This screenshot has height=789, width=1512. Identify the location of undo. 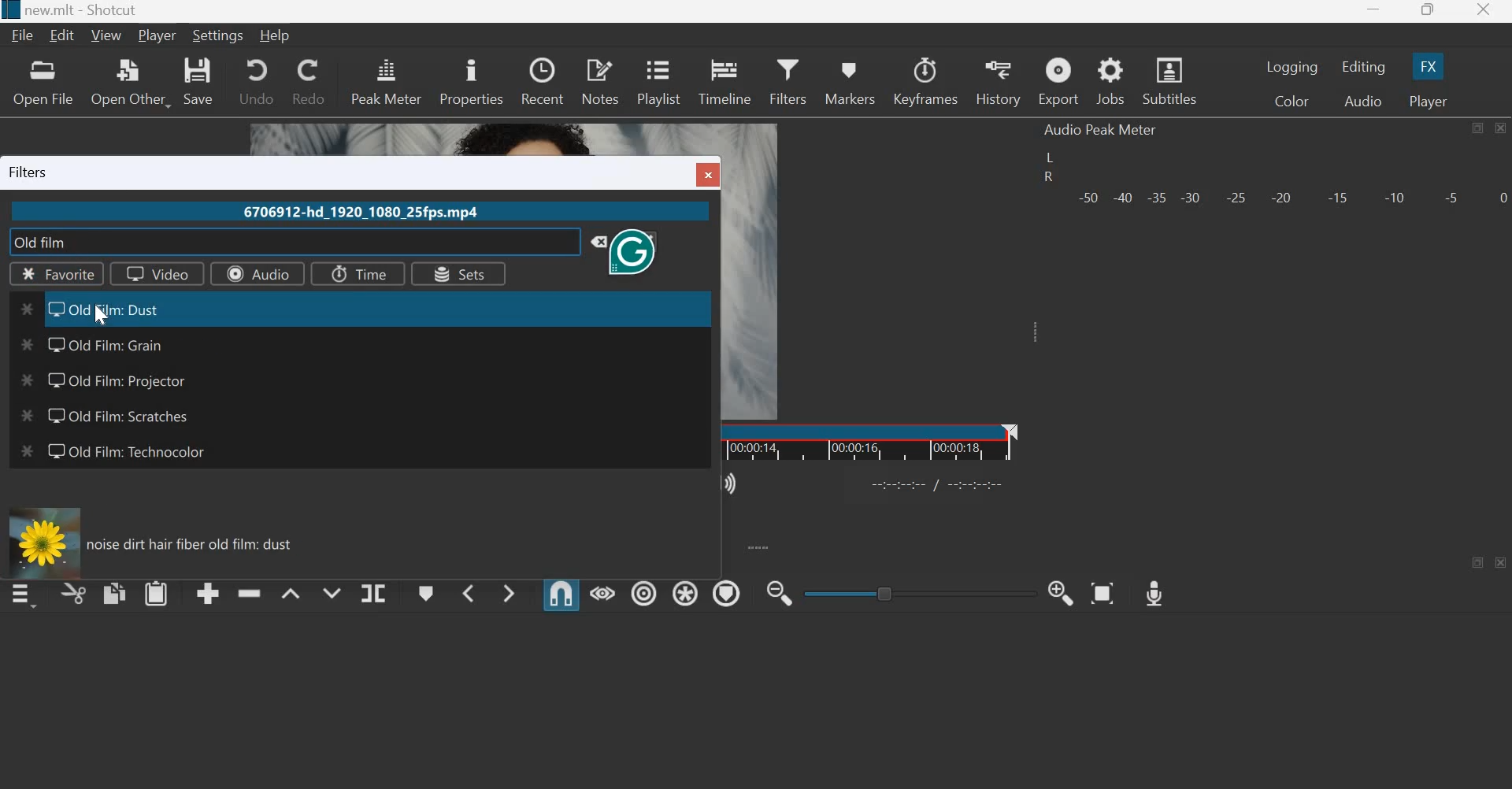
(256, 80).